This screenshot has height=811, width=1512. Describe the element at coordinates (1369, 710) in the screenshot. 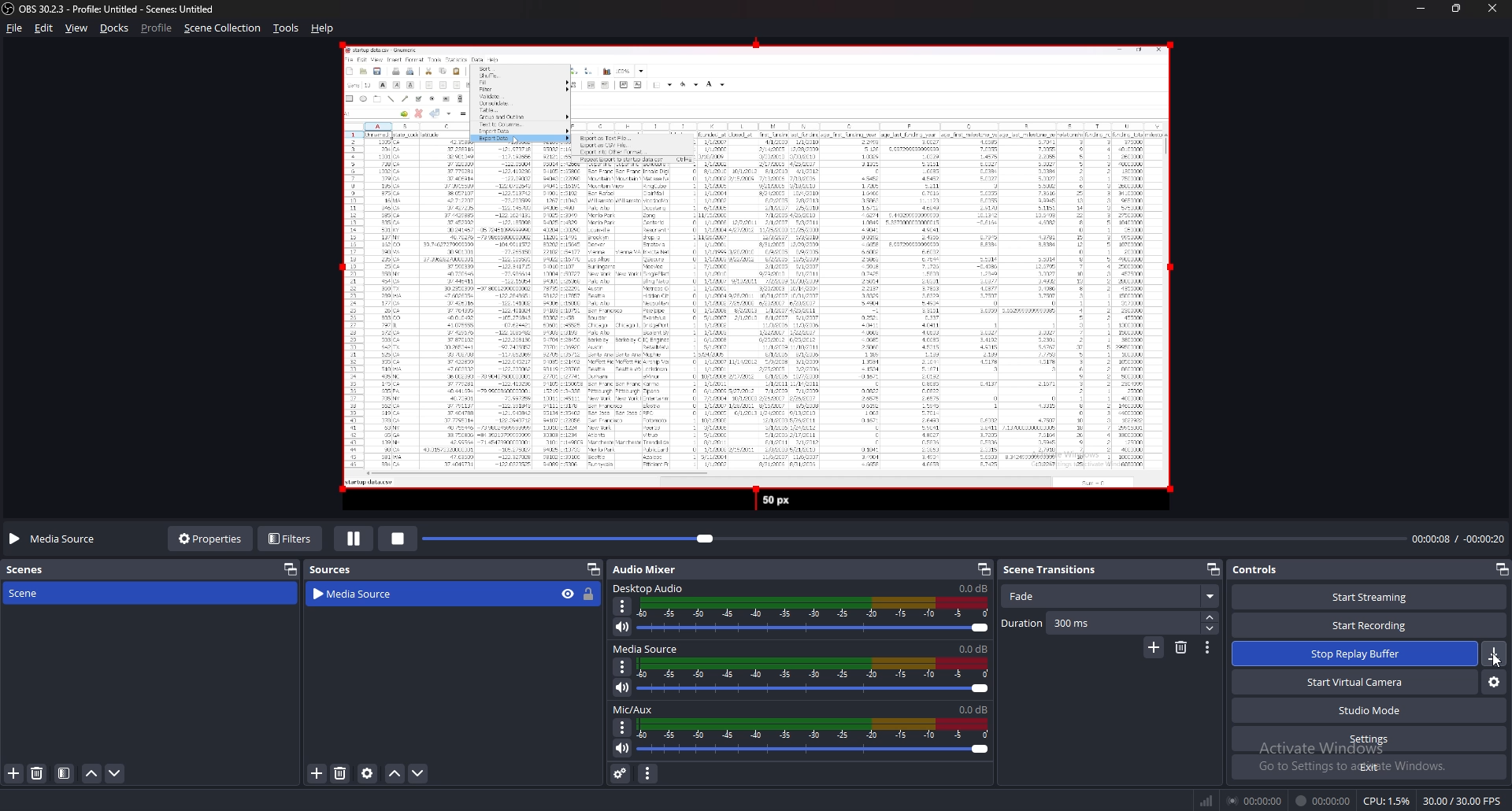

I see `studio mode` at that location.